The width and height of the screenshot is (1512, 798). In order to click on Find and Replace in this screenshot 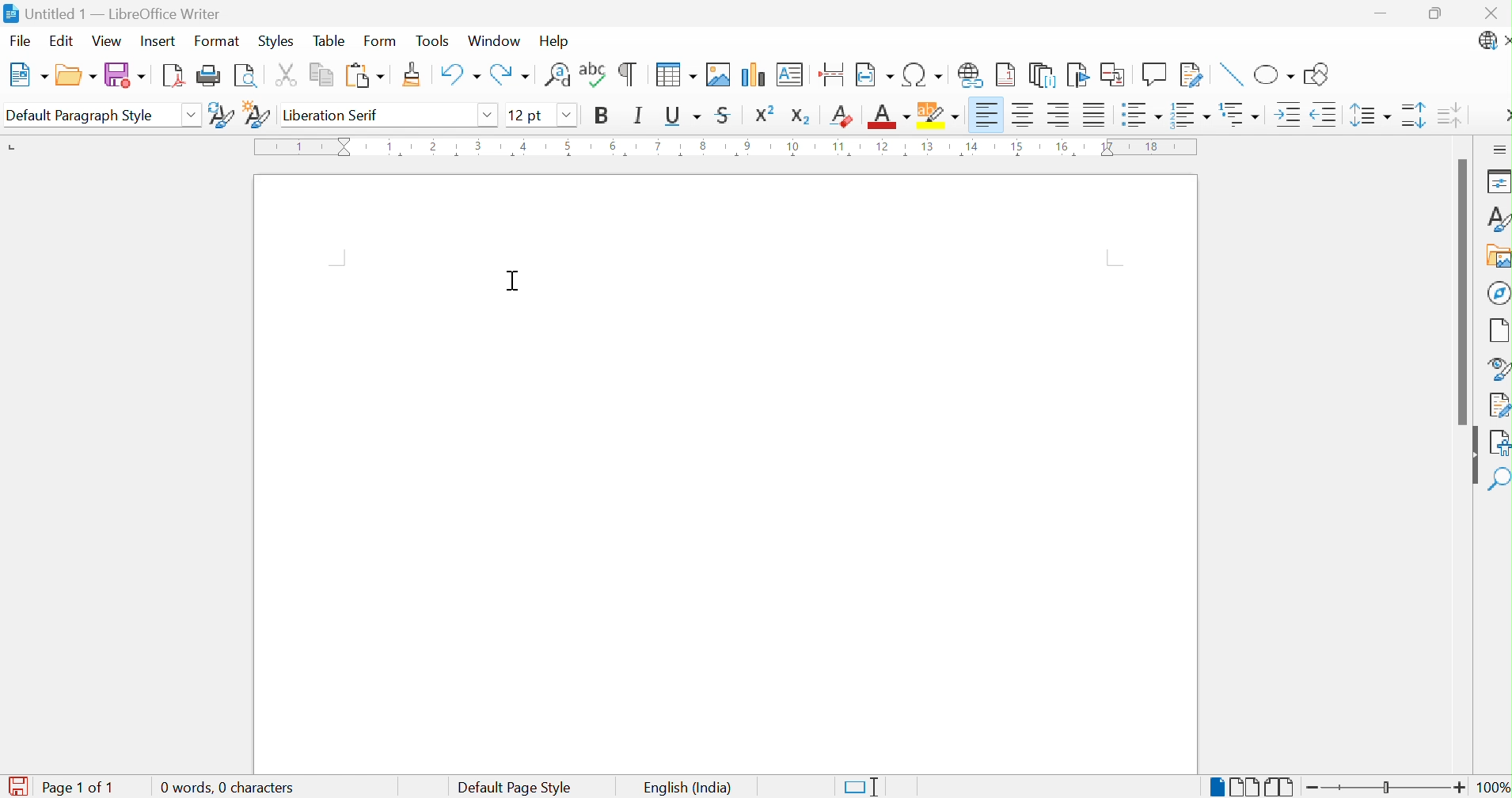, I will do `click(557, 75)`.